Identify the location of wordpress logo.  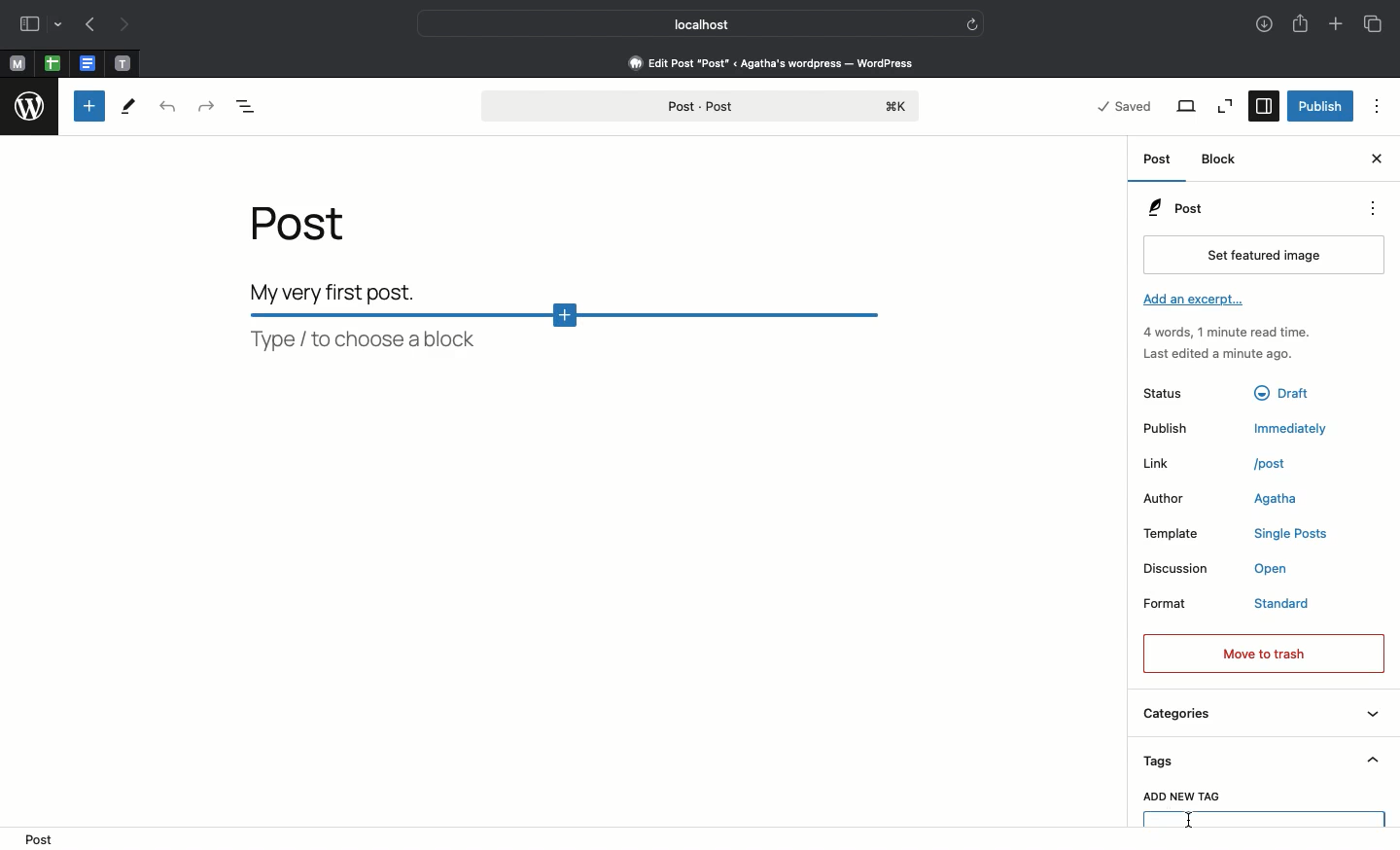
(30, 106).